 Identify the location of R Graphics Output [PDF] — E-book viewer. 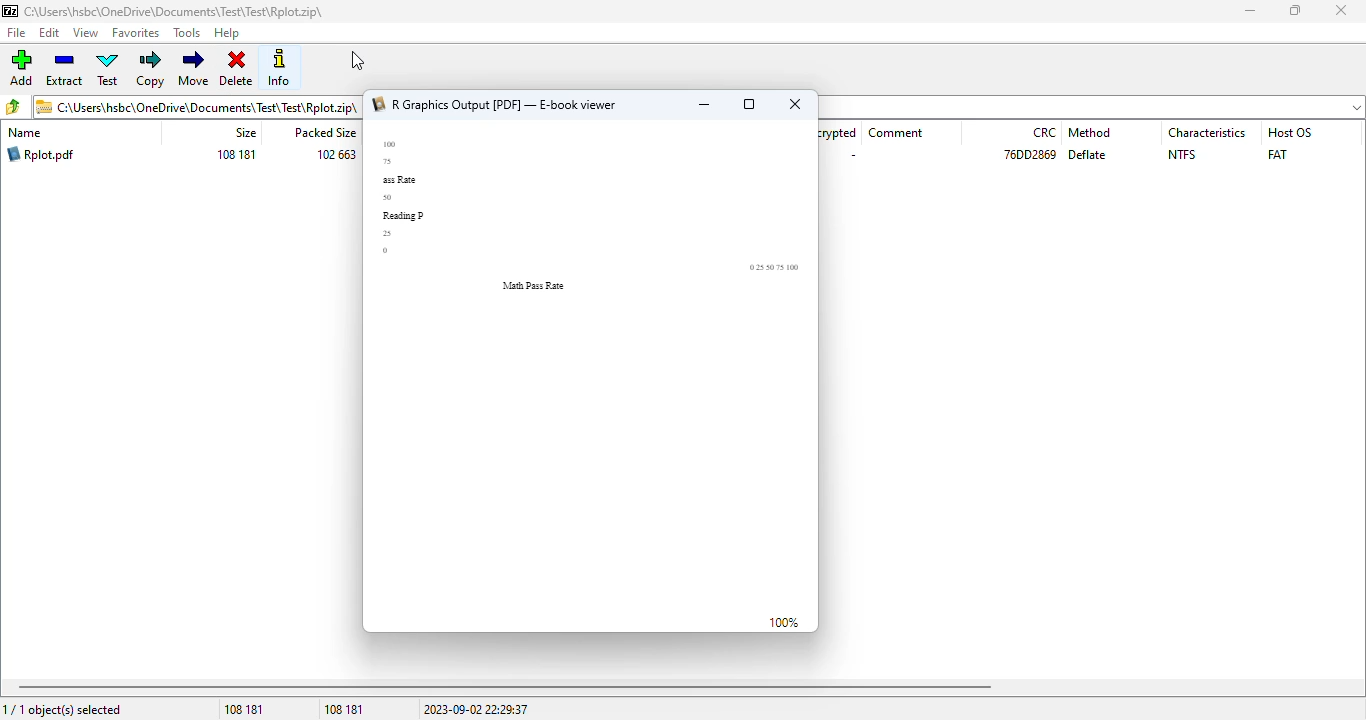
(500, 105).